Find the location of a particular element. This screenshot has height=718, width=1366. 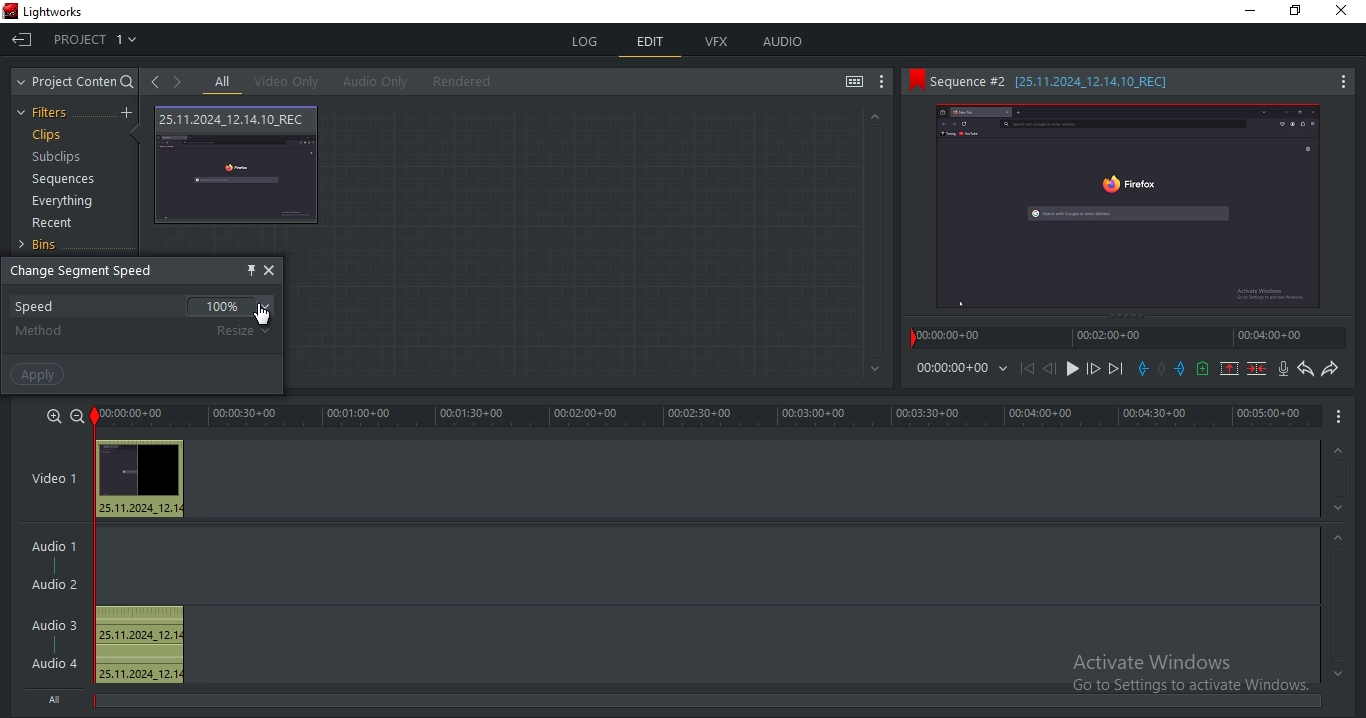

sequences is located at coordinates (64, 179).